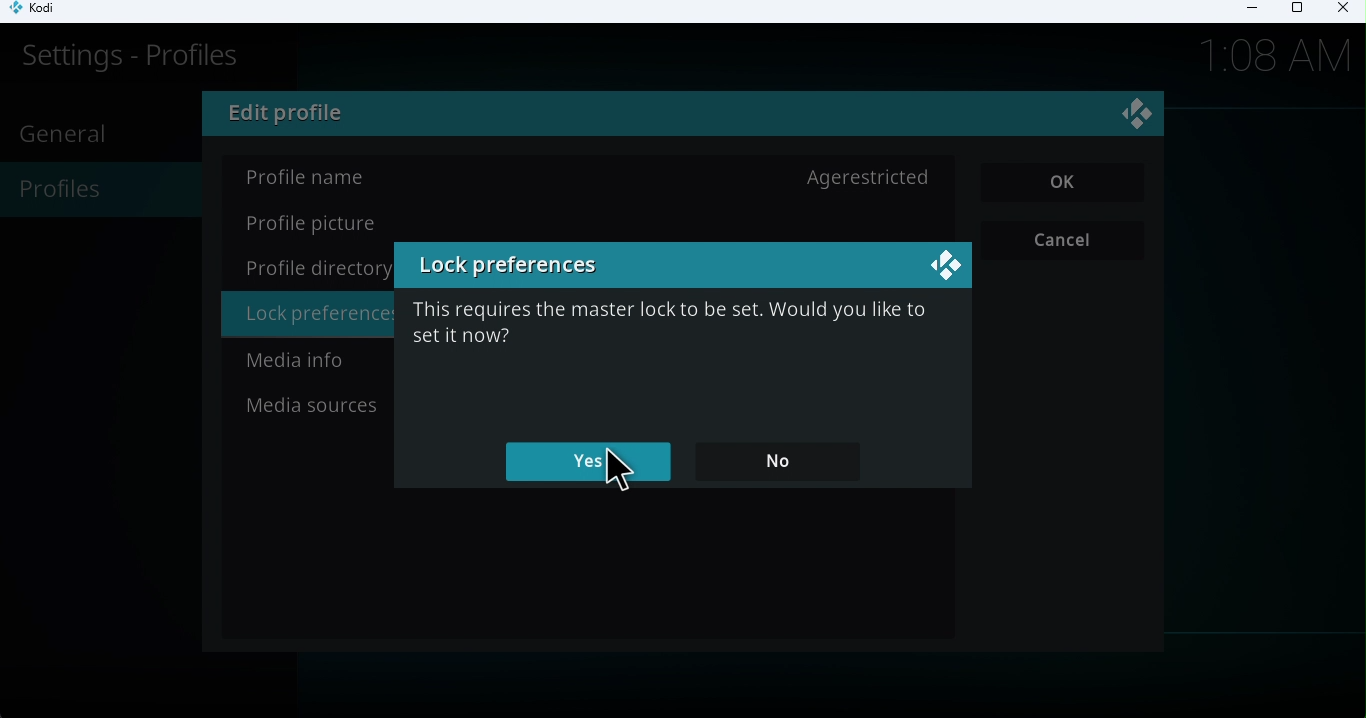 This screenshot has height=718, width=1366. I want to click on OK, so click(1064, 183).